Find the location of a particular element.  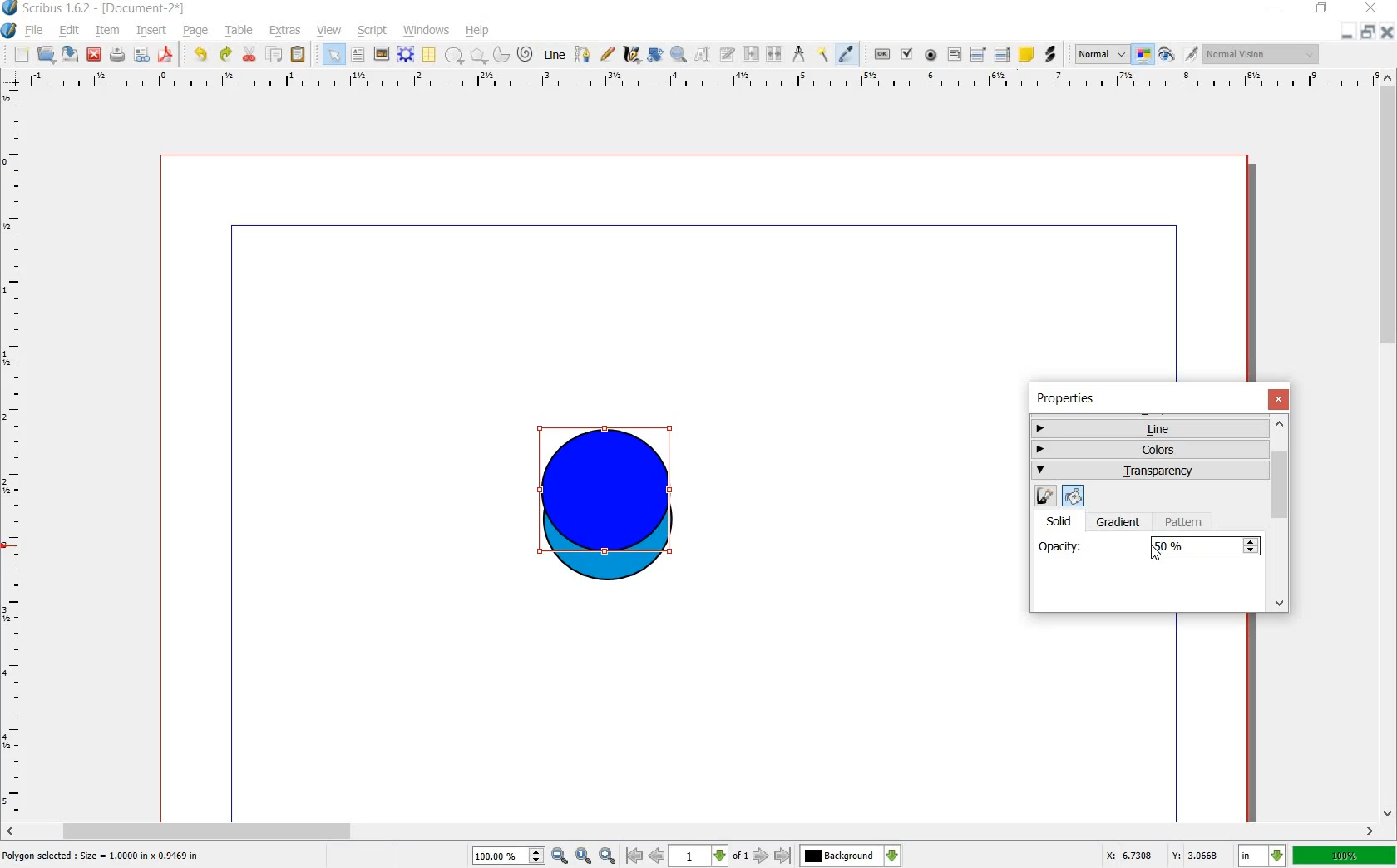

shape selected is located at coordinates (606, 494).